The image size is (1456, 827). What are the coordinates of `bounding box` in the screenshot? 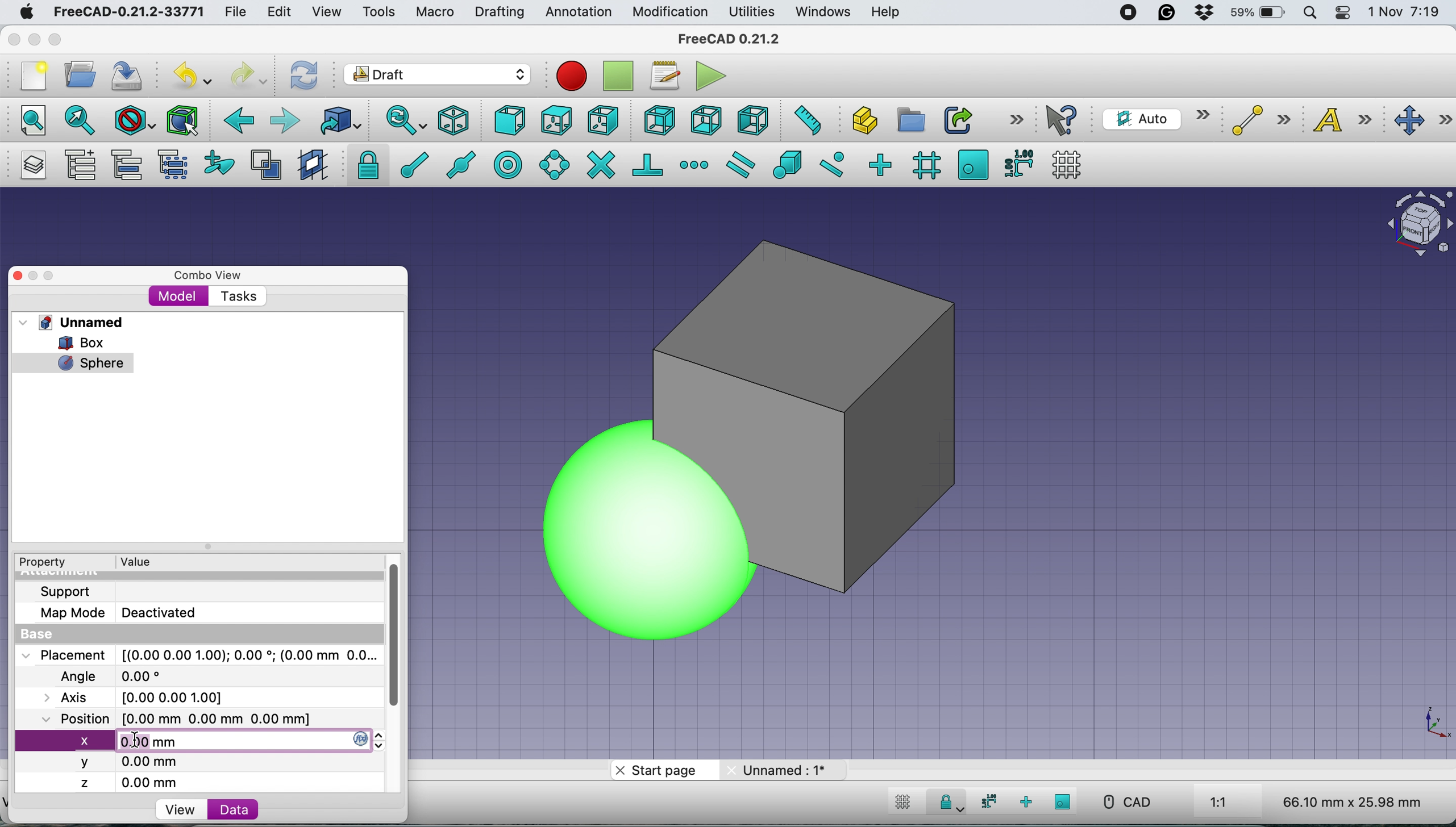 It's located at (181, 120).